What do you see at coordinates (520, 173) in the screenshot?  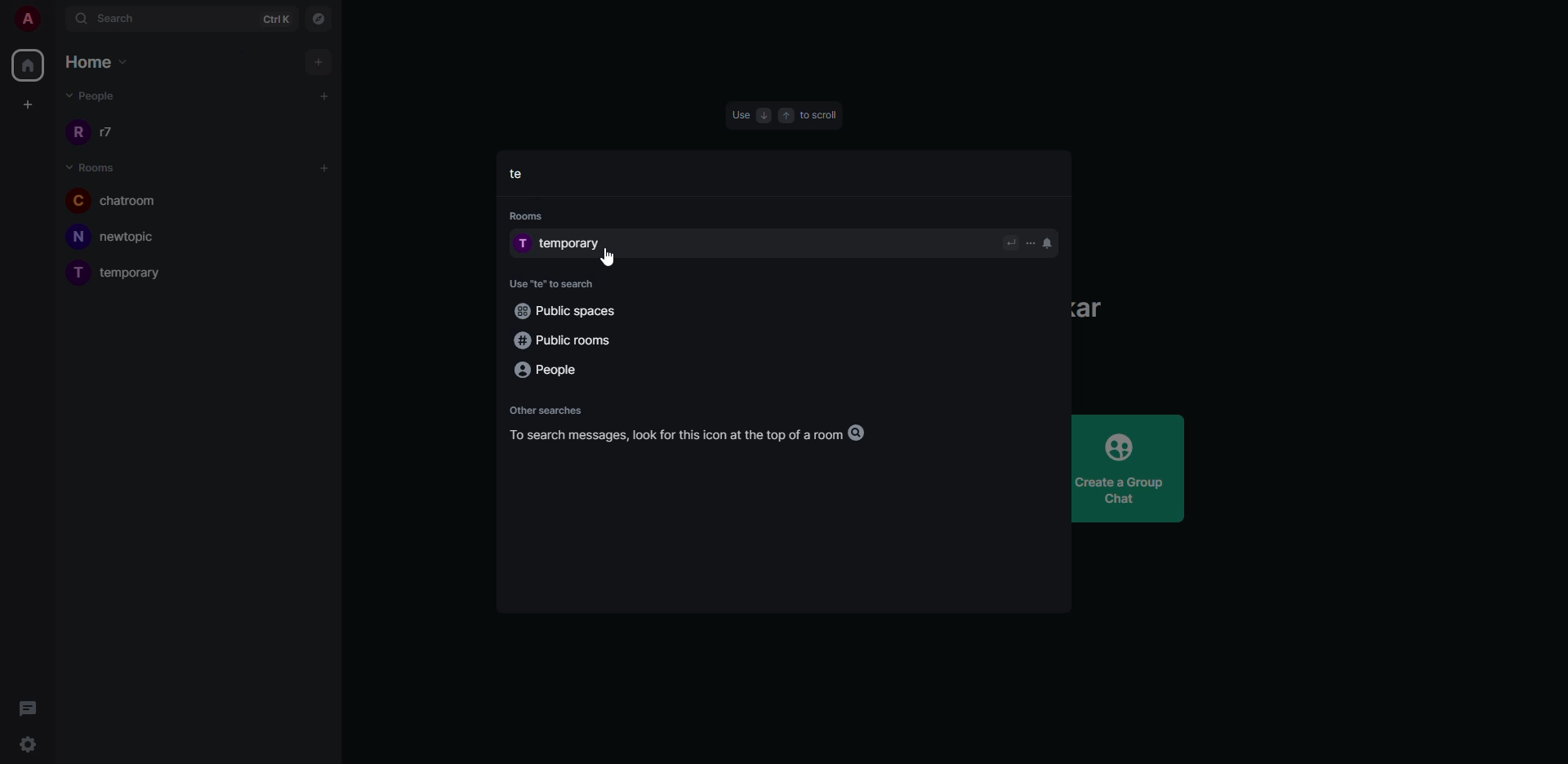 I see `te` at bounding box center [520, 173].